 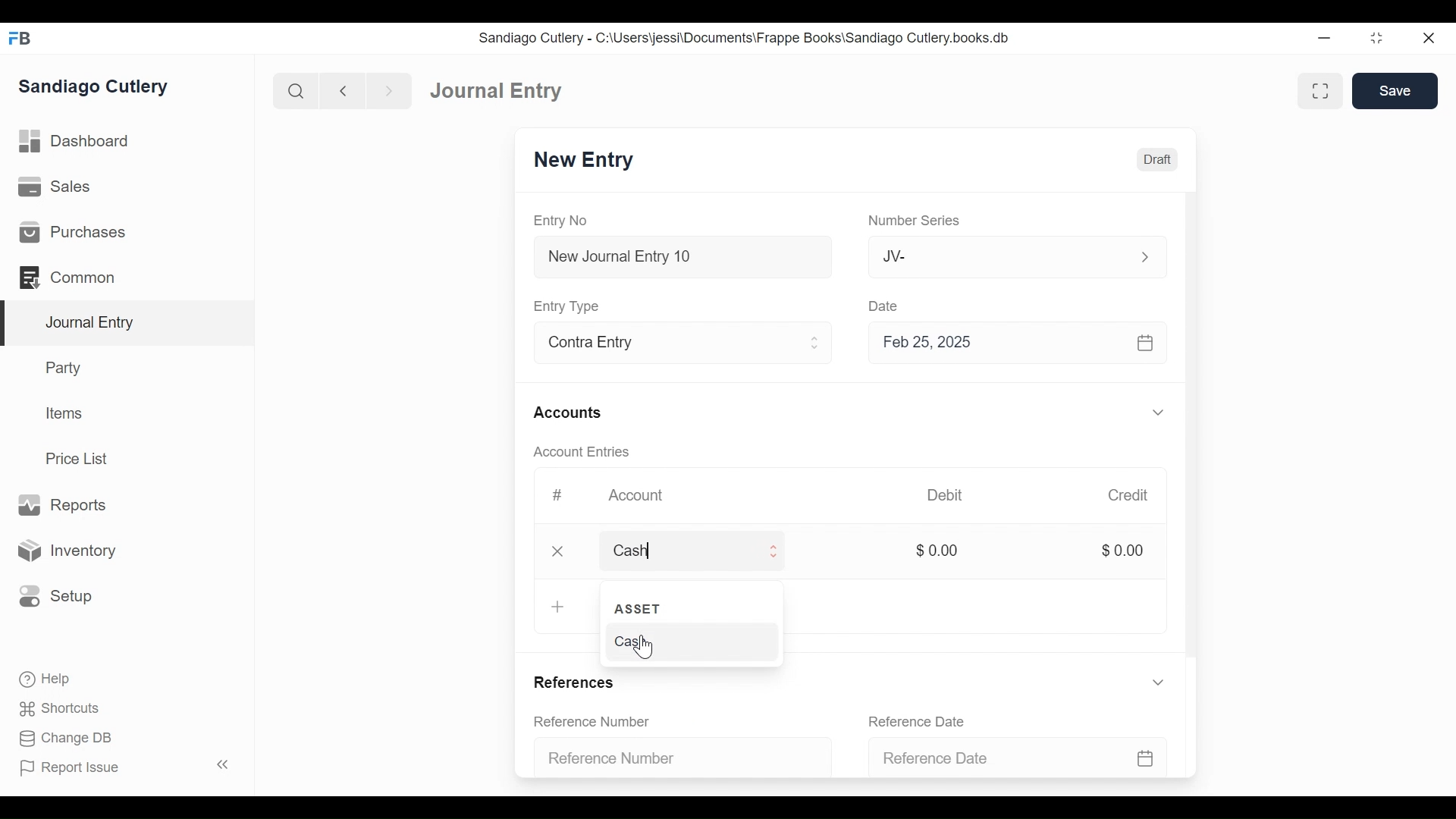 I want to click on Number Series, so click(x=917, y=221).